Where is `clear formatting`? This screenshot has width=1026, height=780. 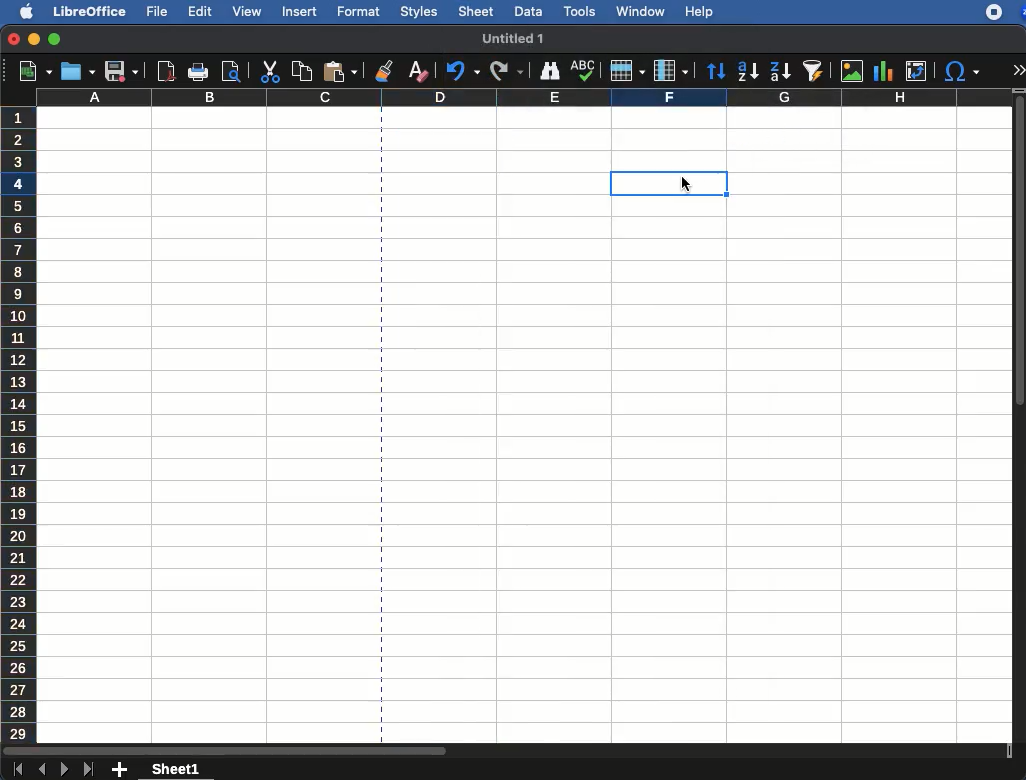 clear formatting is located at coordinates (417, 73).